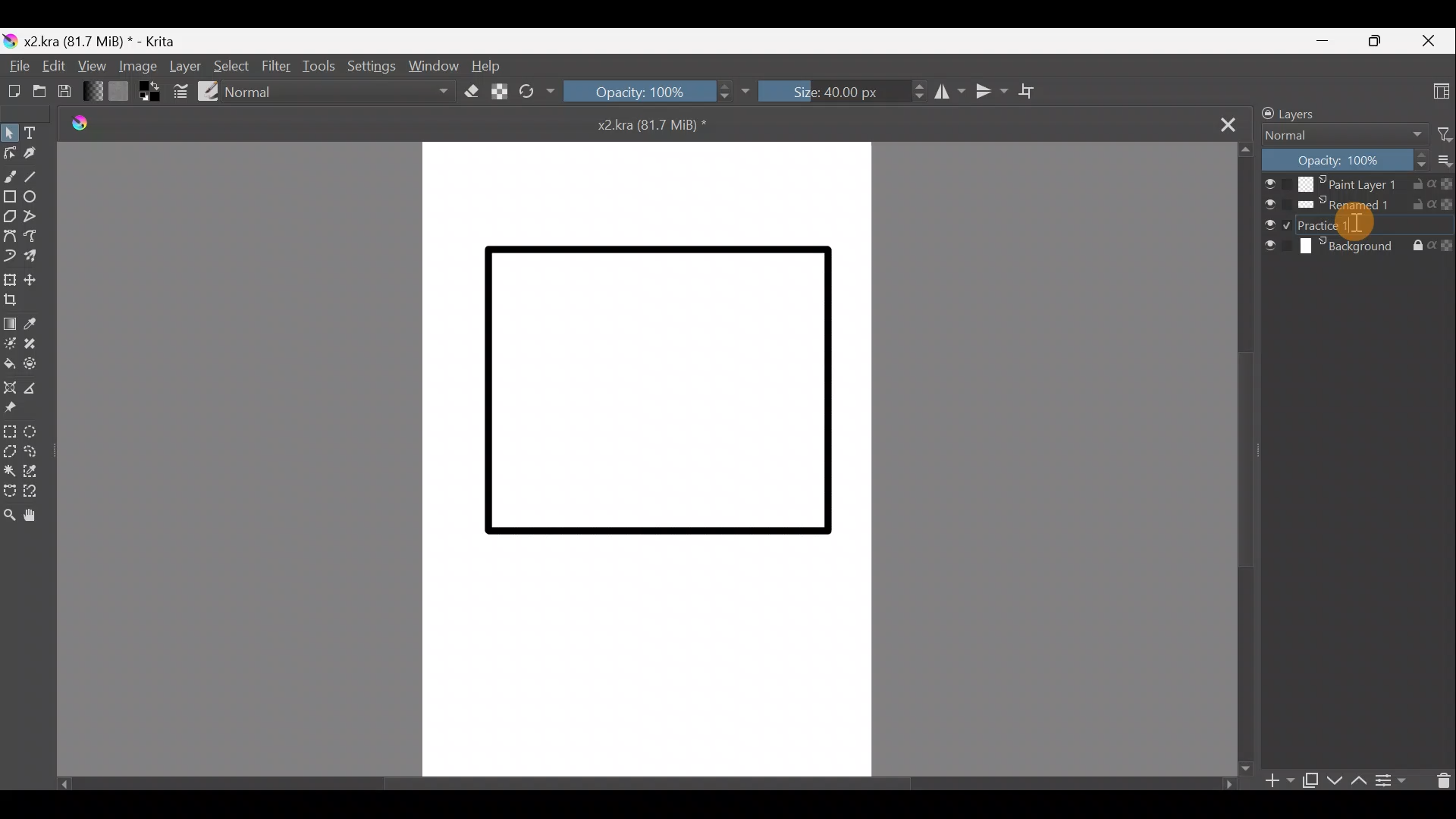  Describe the element at coordinates (1336, 779) in the screenshot. I see `Move layer/mask down` at that location.